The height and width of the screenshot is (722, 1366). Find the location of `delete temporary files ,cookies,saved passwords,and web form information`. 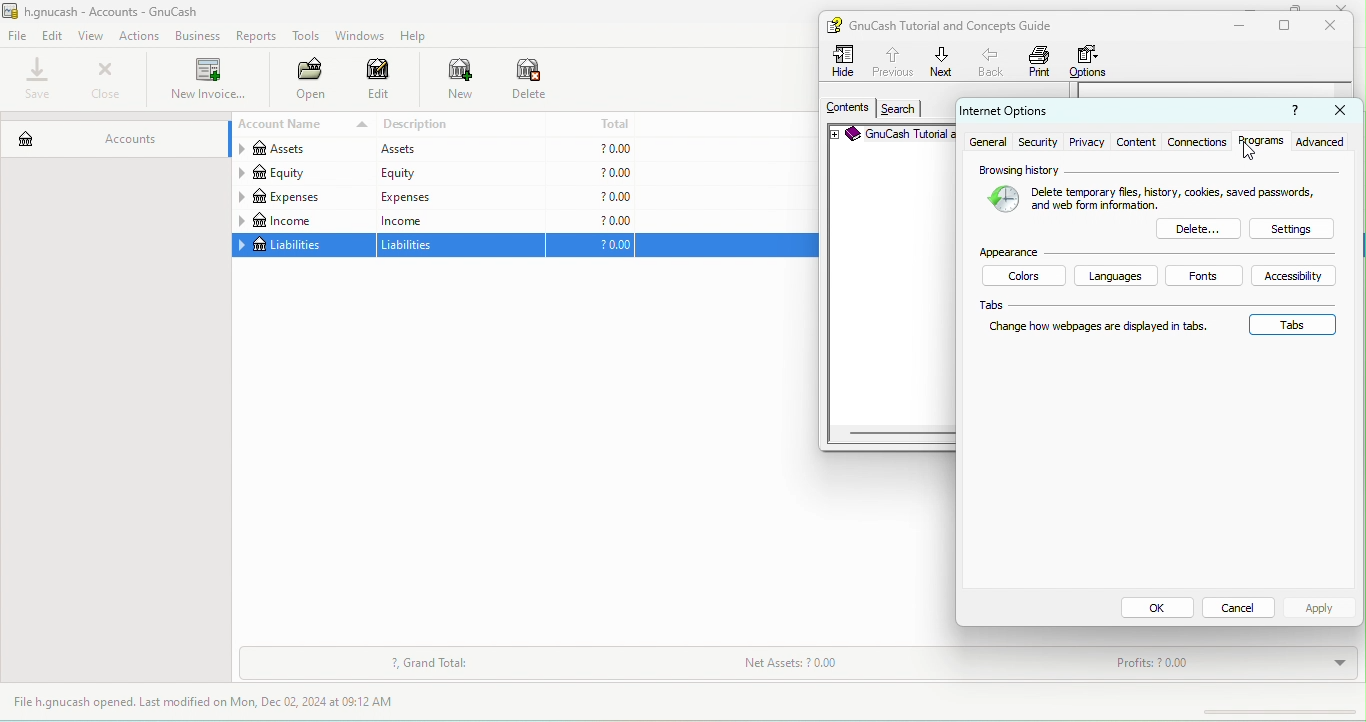

delete temporary files ,cookies,saved passwords,and web form information is located at coordinates (1160, 199).